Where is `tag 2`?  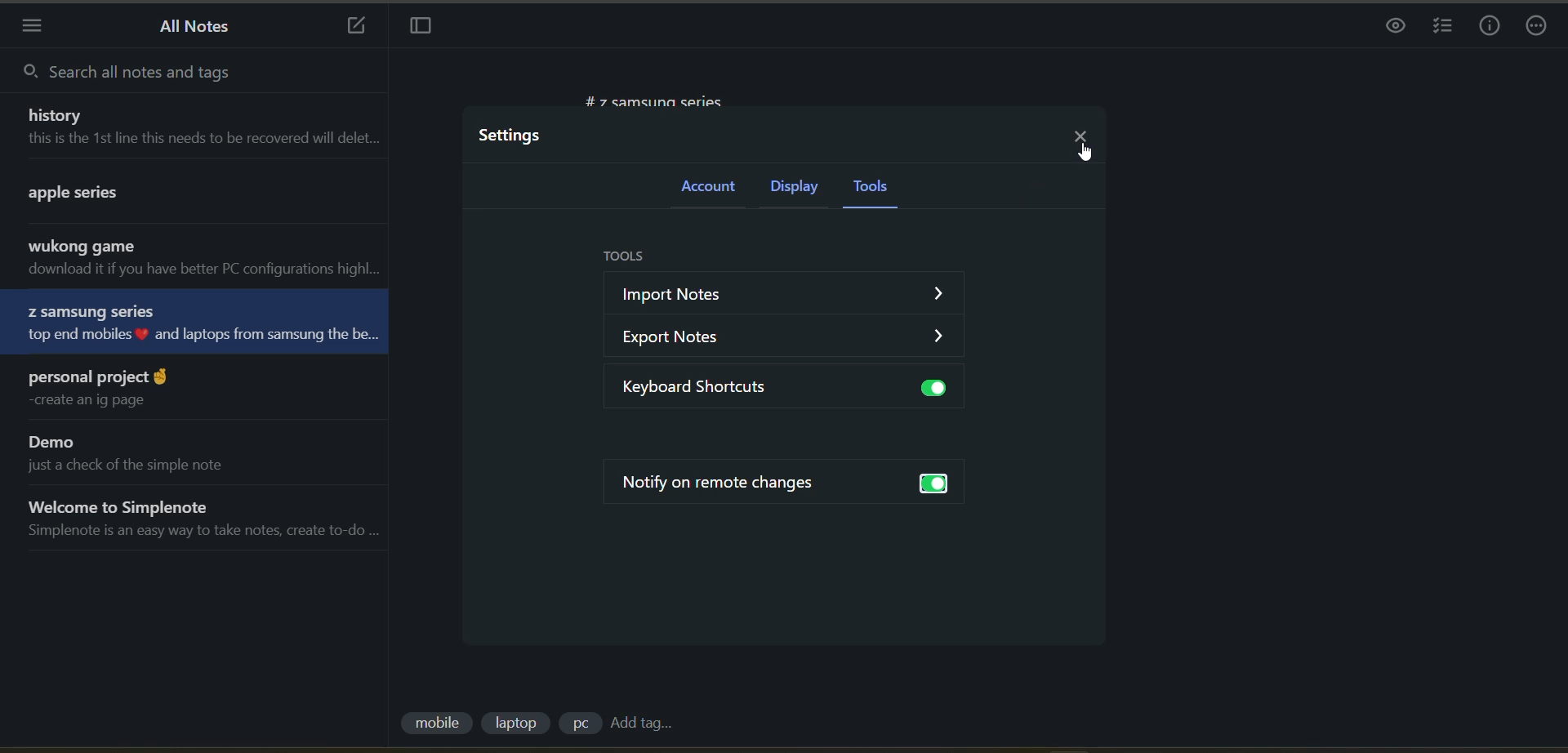
tag 2 is located at coordinates (517, 724).